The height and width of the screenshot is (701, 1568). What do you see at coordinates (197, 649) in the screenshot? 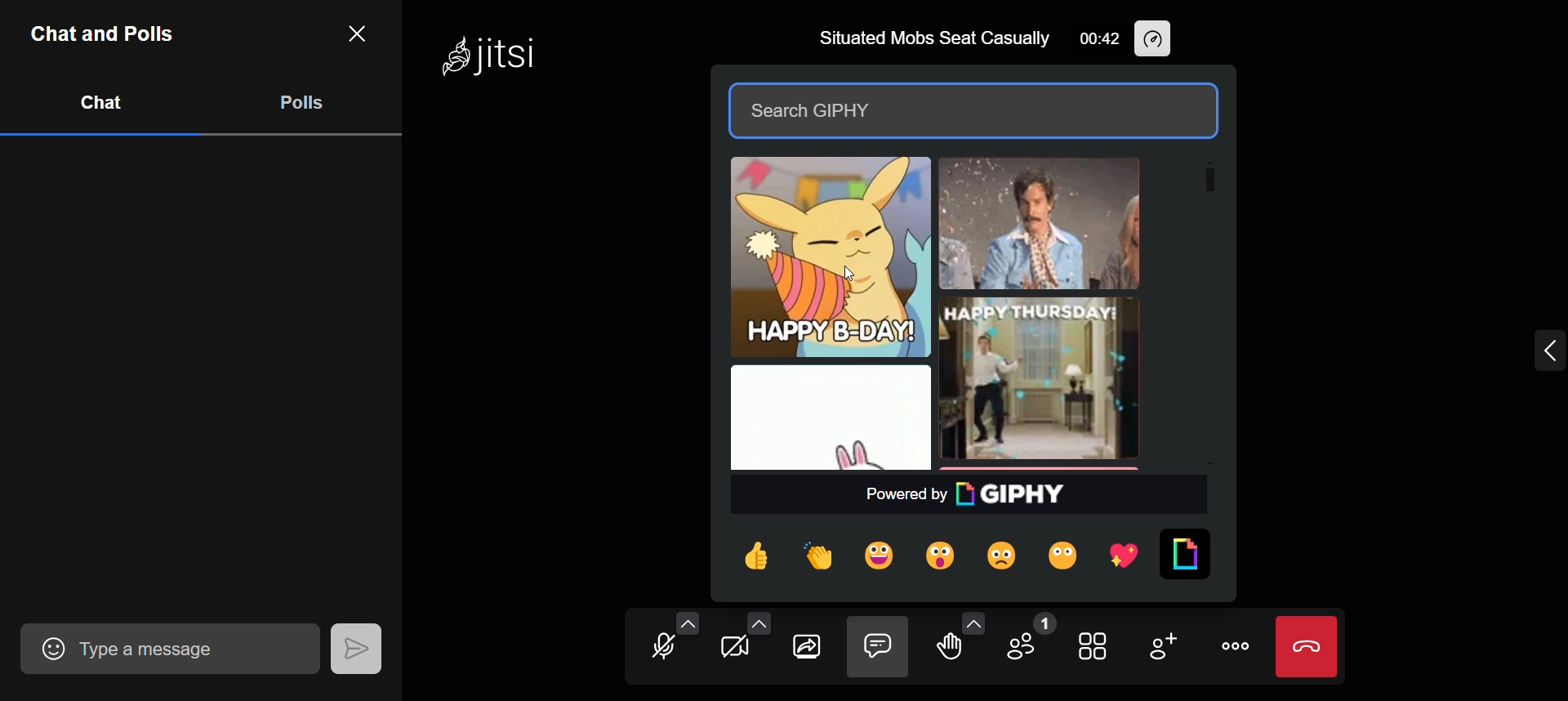
I see `Type a message` at bounding box center [197, 649].